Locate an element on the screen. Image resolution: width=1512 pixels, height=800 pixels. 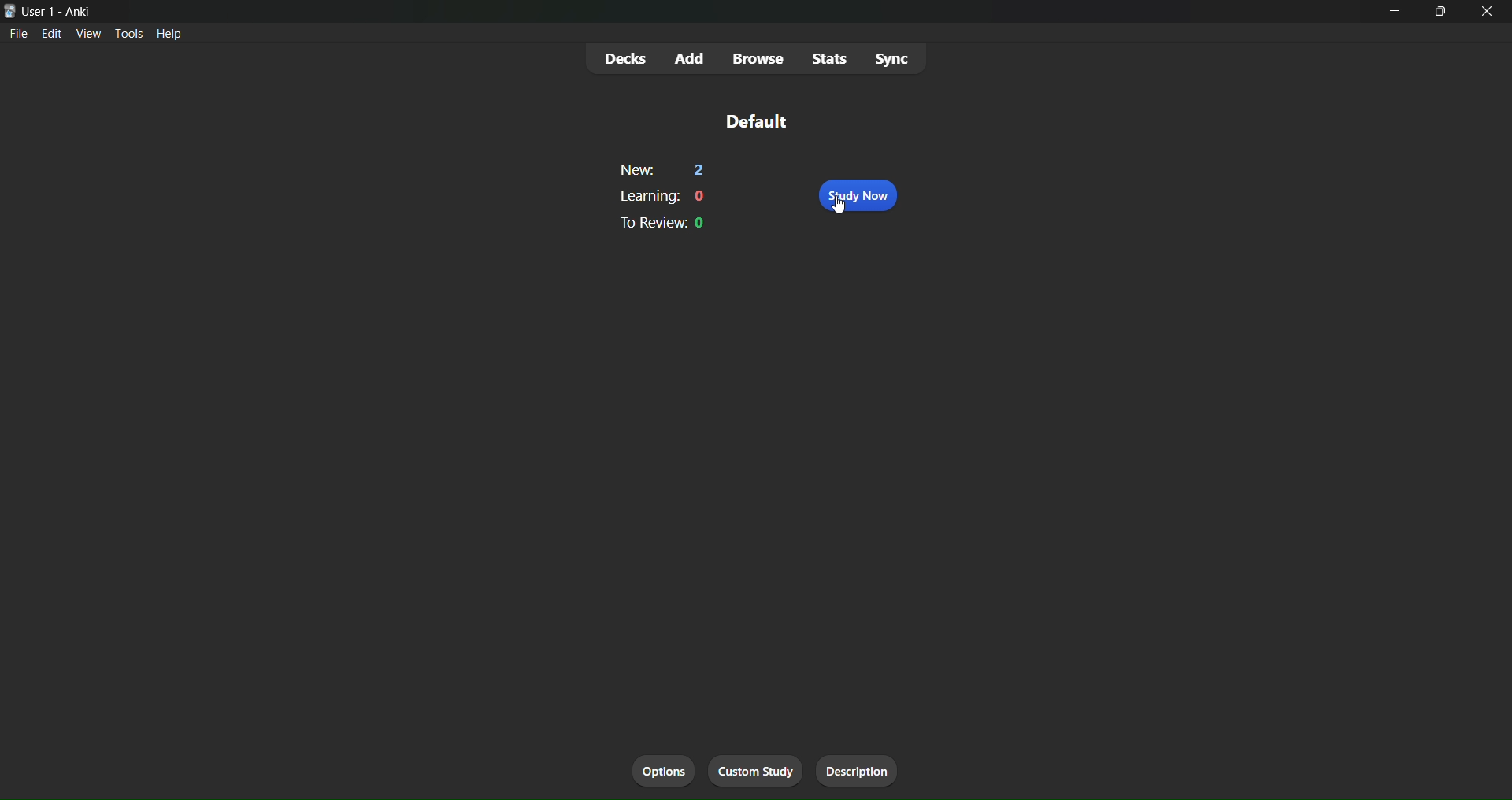
view is located at coordinates (88, 35).